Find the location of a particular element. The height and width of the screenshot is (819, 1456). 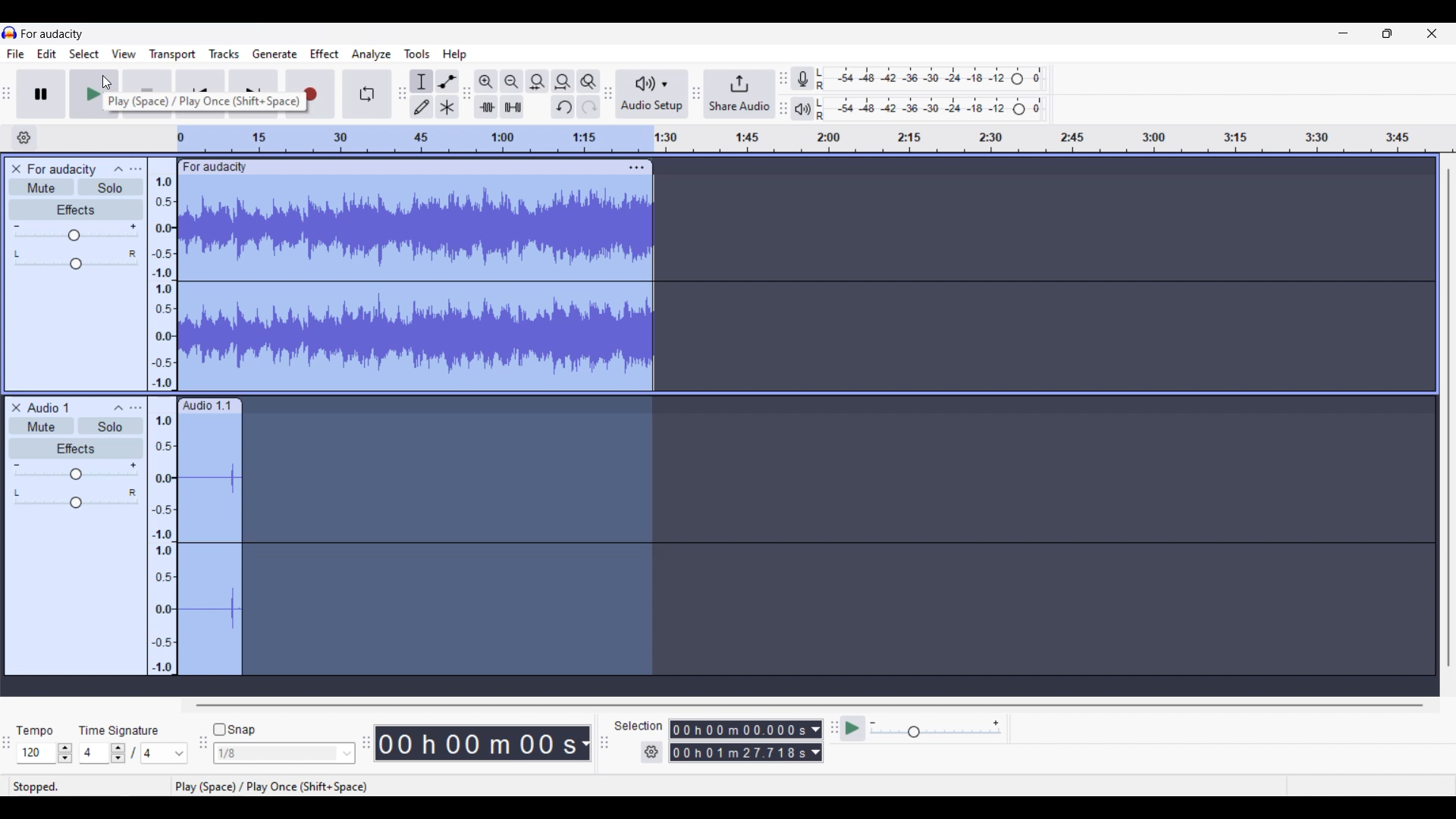

View is located at coordinates (124, 54).